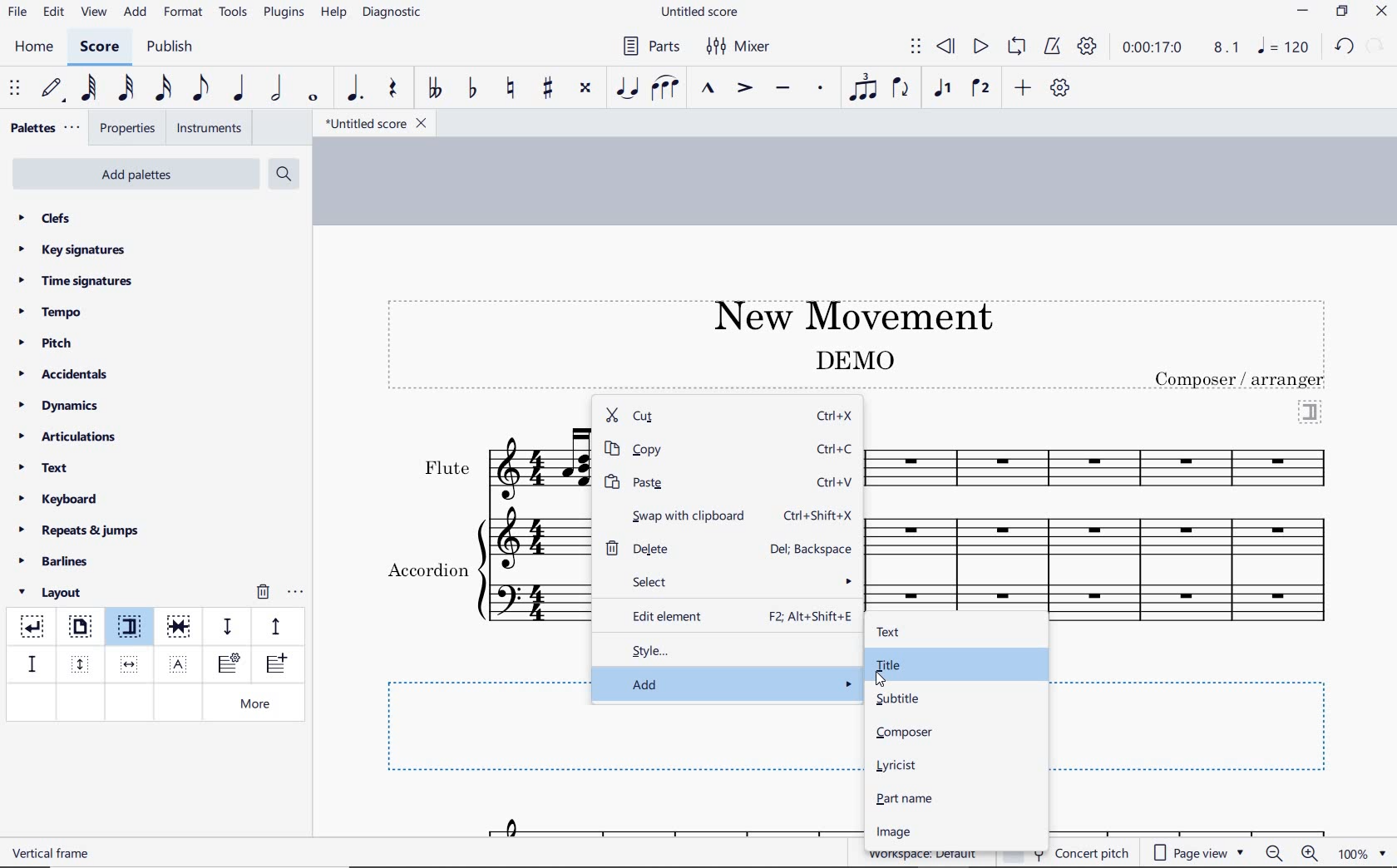  Describe the element at coordinates (43, 129) in the screenshot. I see `palettes` at that location.